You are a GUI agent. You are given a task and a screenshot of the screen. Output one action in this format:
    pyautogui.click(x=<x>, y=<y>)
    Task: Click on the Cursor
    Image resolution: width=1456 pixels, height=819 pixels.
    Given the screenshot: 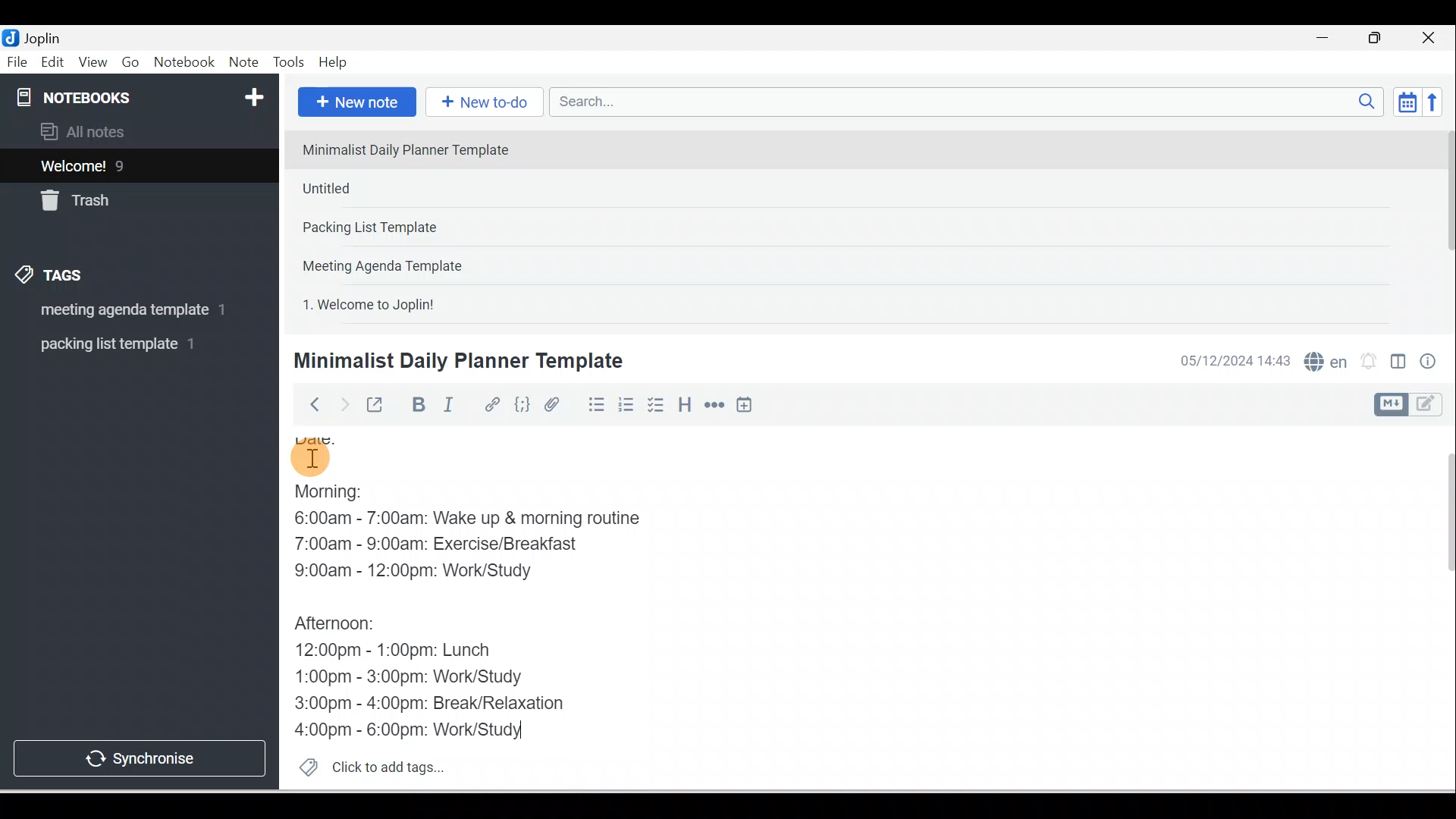 What is the action you would take?
    pyautogui.click(x=311, y=455)
    